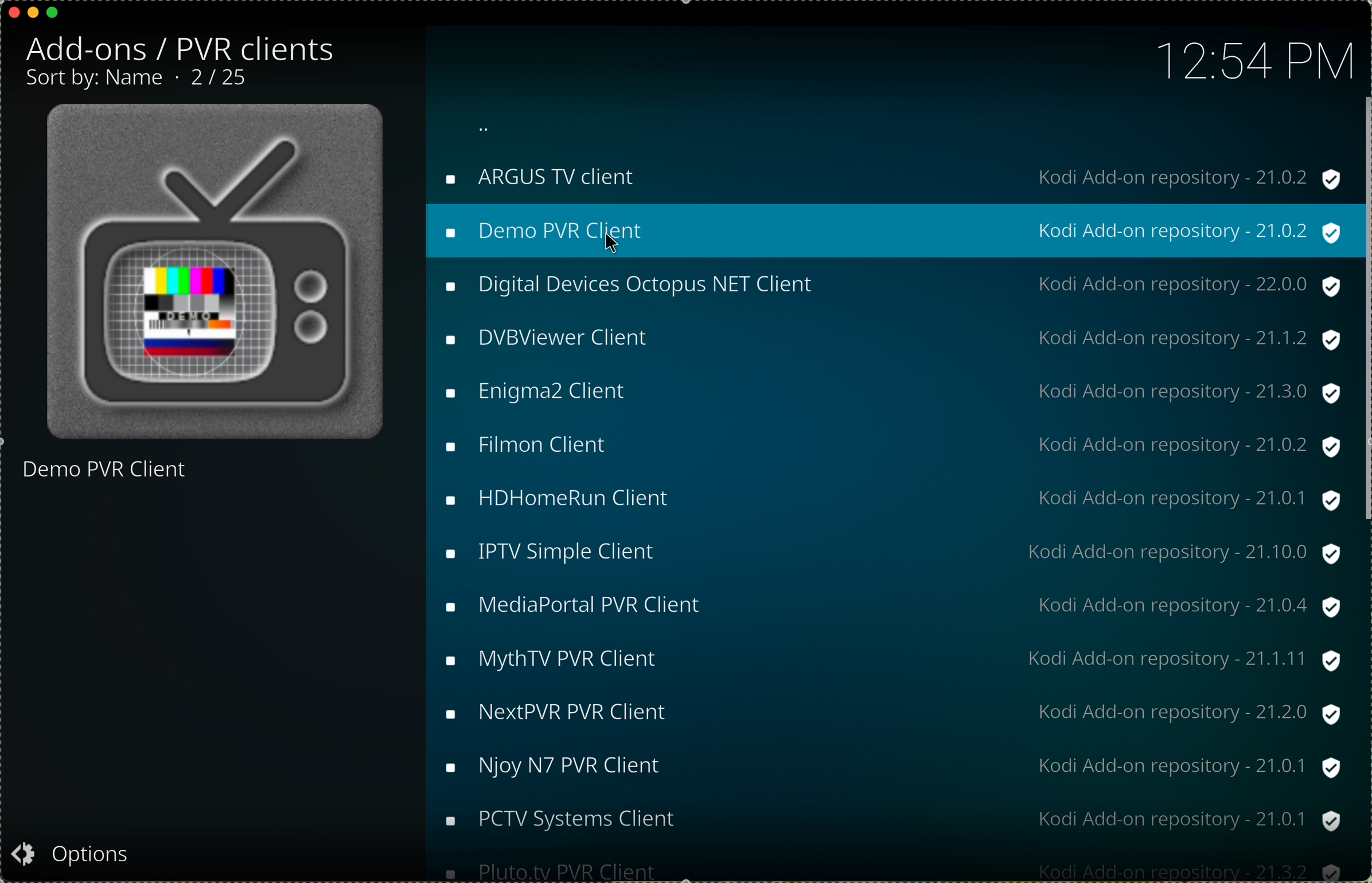 Image resolution: width=1372 pixels, height=883 pixels. I want to click on maximize, so click(53, 17).